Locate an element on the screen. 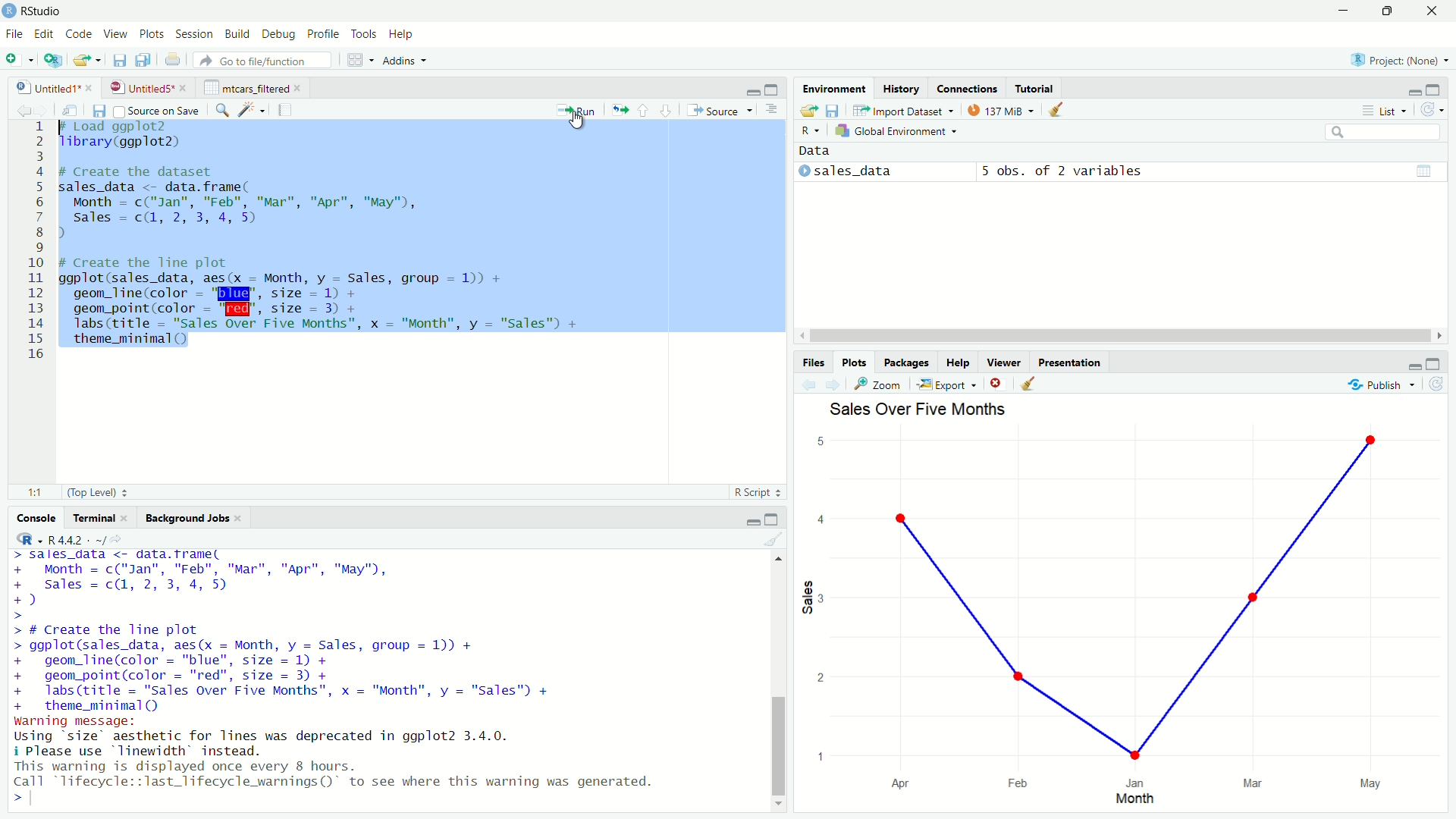  > sales_data <- data.trame(

+ Month = c("Jan", "Feb", "Mar", "Apr", "May"),

+ sales =c(, 2, 3, 4, 5)

+)

>

> # Create the line plot

> ggplot(sales_data, aes(x = Month, y = Sales, group = 1)) +

+ geom_line(color = "blue", size = 1) +

+ geom_point(color = "red", size = 3) +

+ labs(title = "sales Over Five Months", x = "Month", y = "sales") +
+  theme_minimal()

warning message:

Using “size aesthetic for lines was deprecated in ggplot2 3.4.0.

i Please use "Tinewidth™ instead.

This warning is displayed once every 8 hours.

call “Tifecycle::last_lifecycle_warnings()" to see where this warning was generated. is located at coordinates (337, 671).